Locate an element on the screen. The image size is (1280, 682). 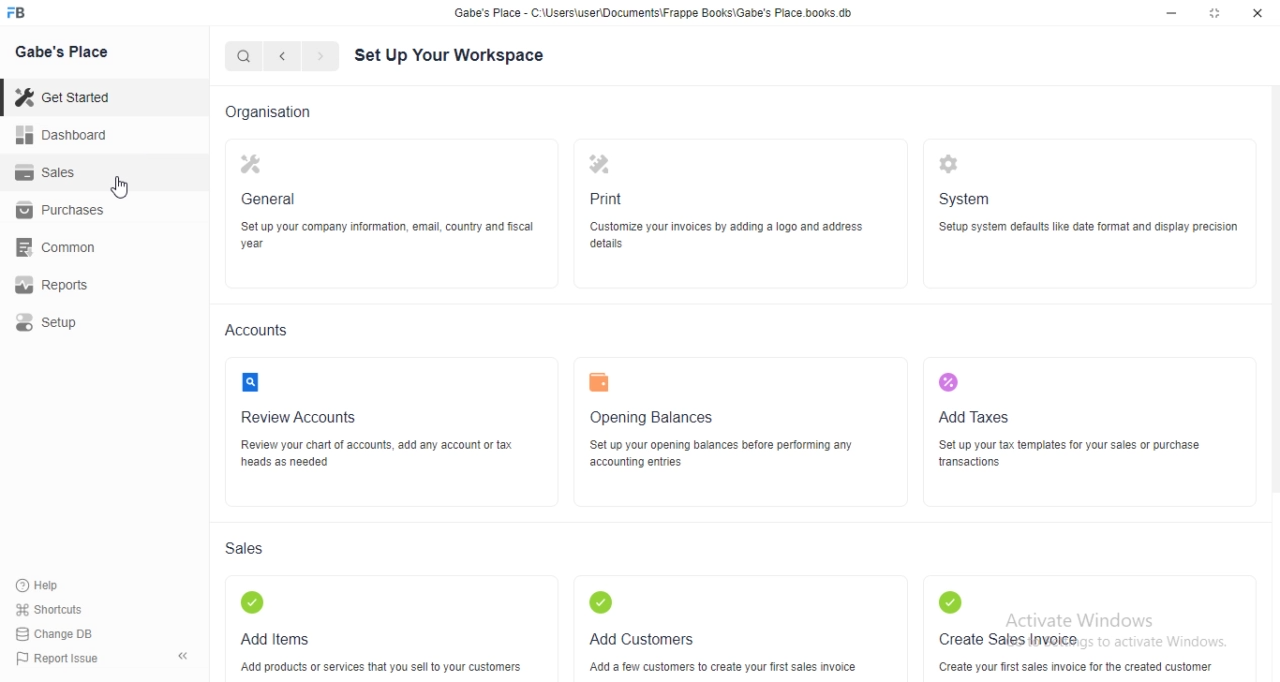
Organisation is located at coordinates (280, 113).